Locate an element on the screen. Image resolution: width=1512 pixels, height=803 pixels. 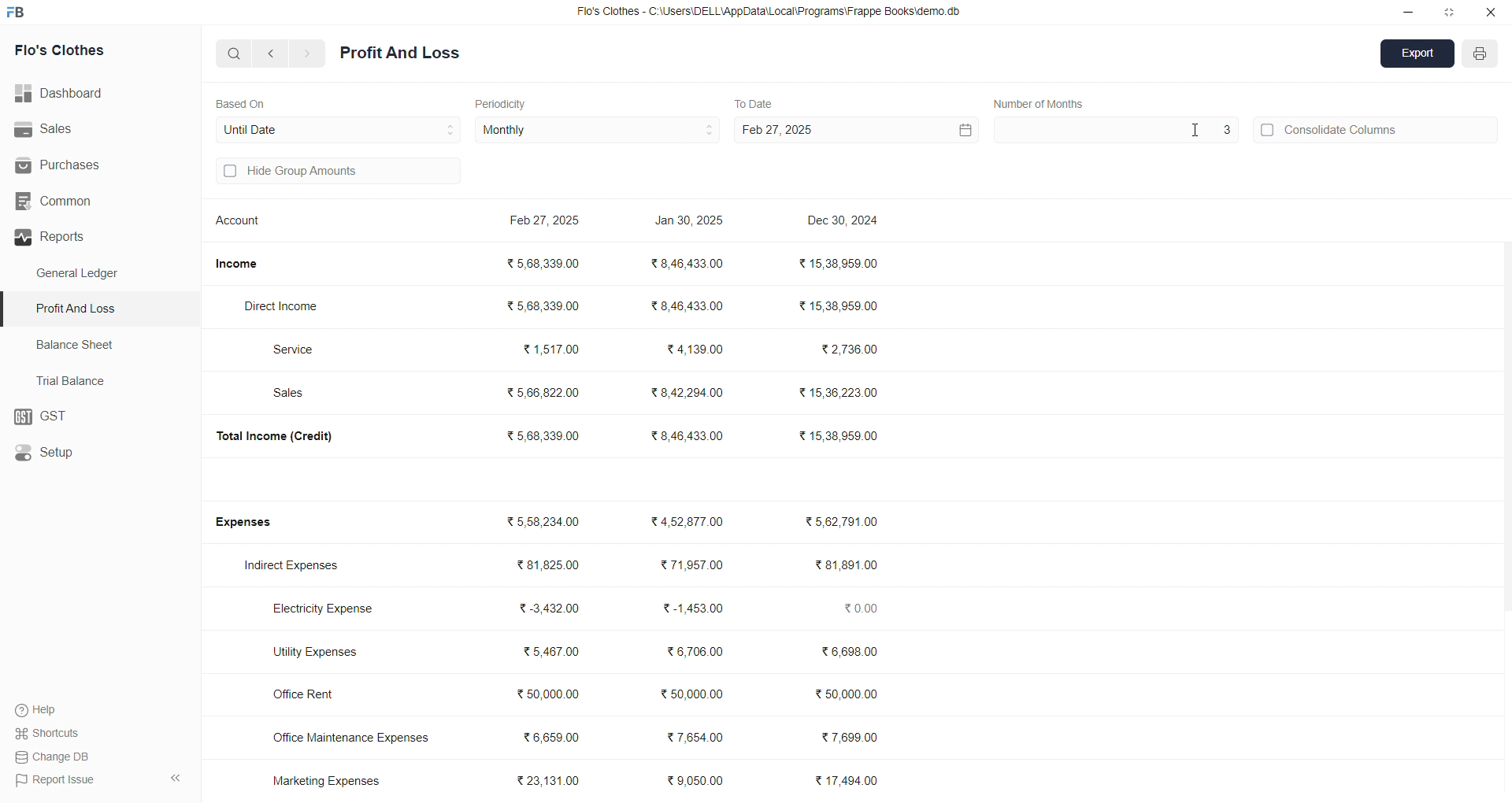
₹8,46,433.00 is located at coordinates (688, 435).